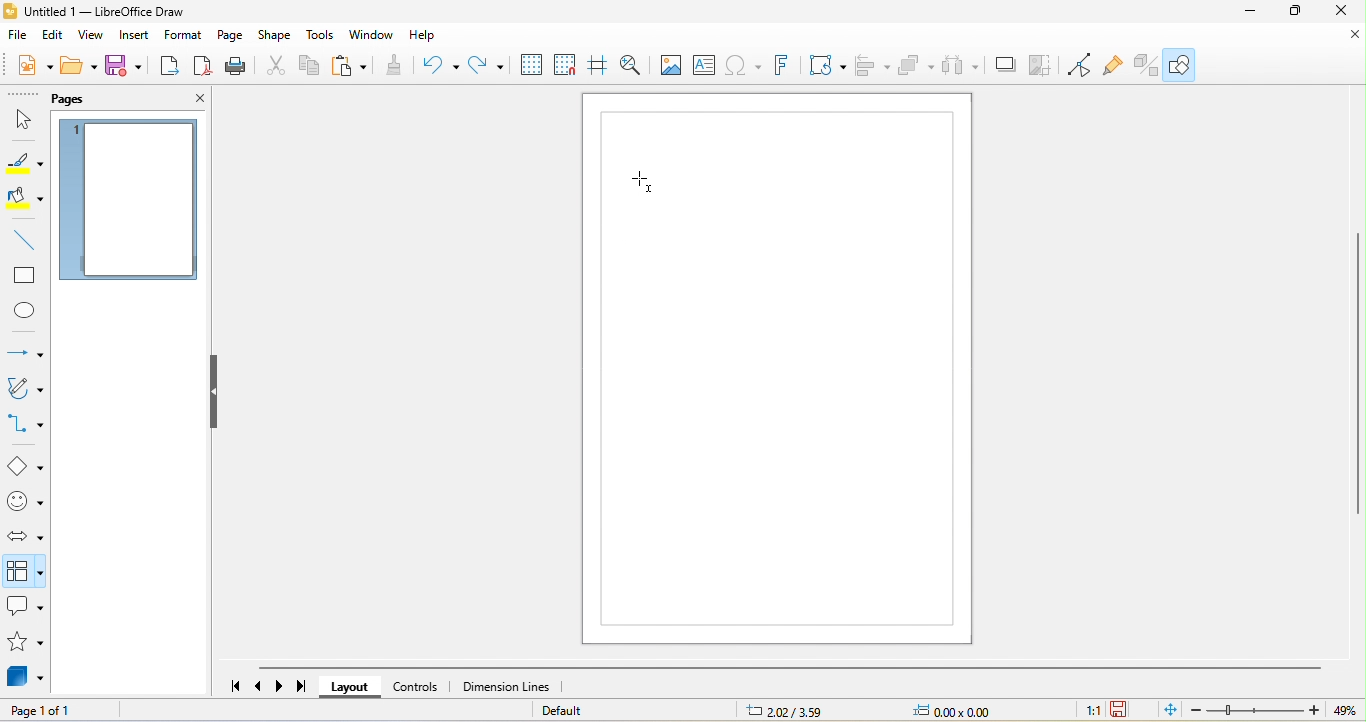 The width and height of the screenshot is (1366, 722). What do you see at coordinates (323, 38) in the screenshot?
I see `tools` at bounding box center [323, 38].